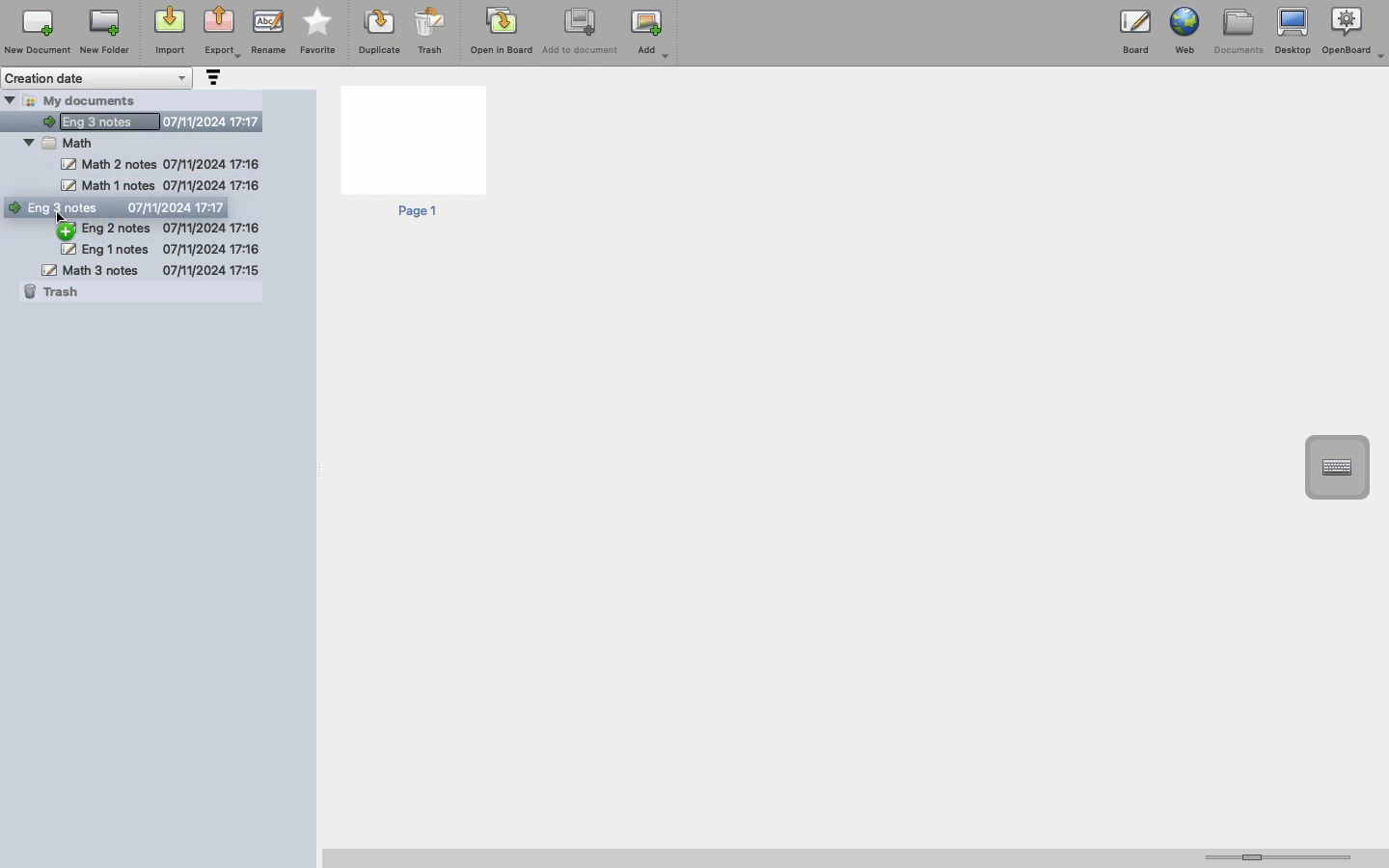 The image size is (1389, 868). What do you see at coordinates (268, 31) in the screenshot?
I see `Rename` at bounding box center [268, 31].